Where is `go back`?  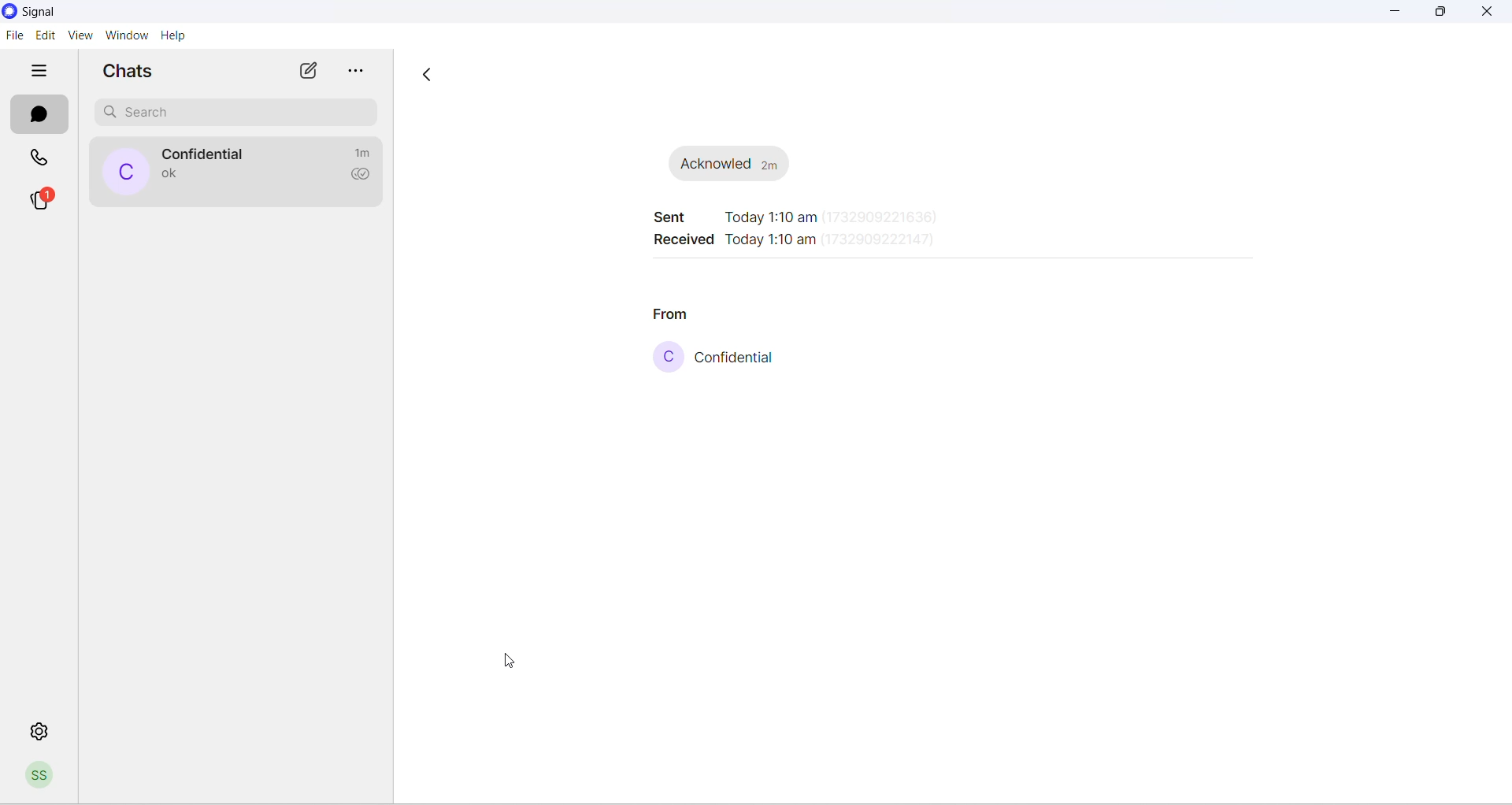
go back is located at coordinates (436, 74).